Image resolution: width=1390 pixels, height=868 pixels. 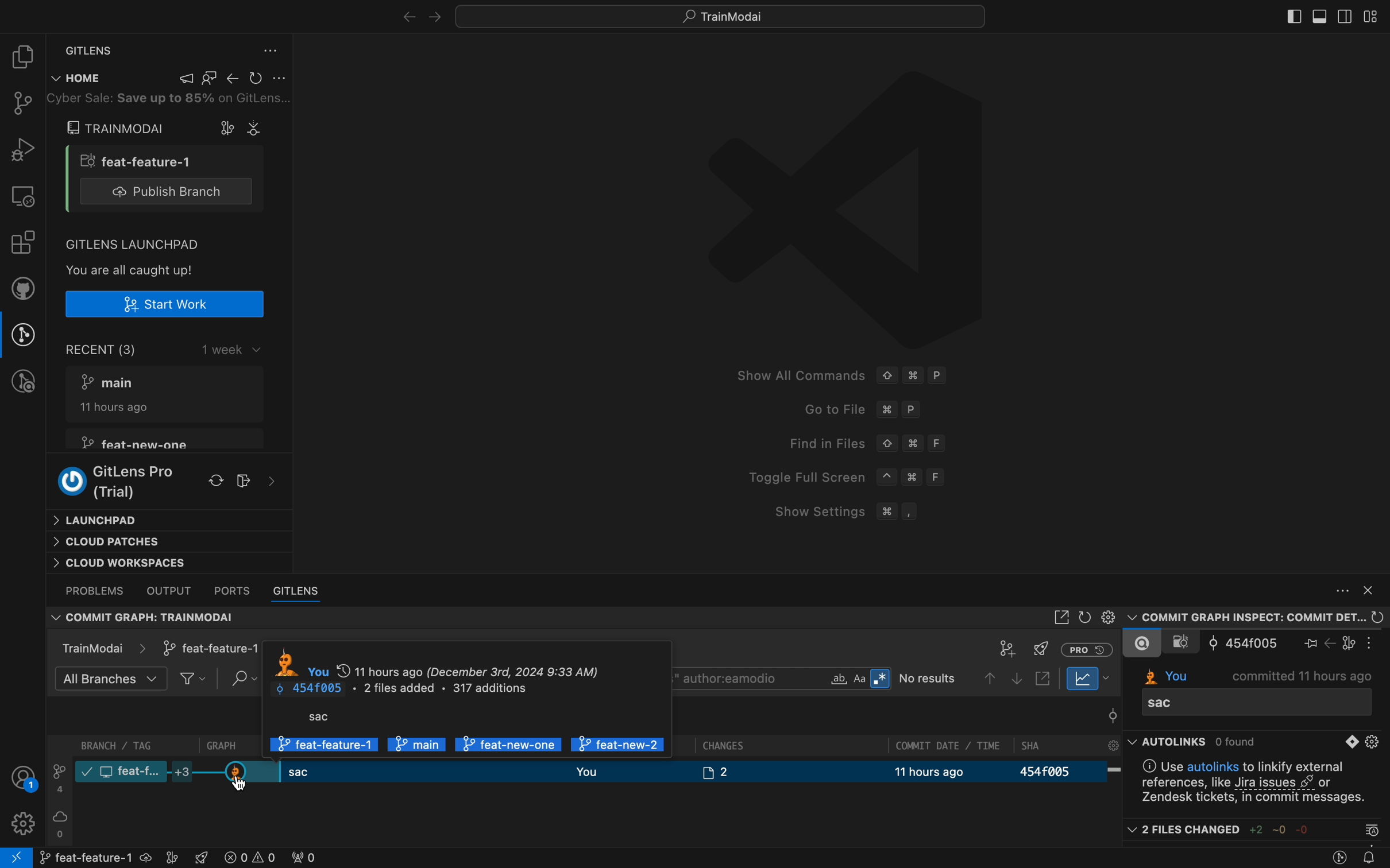 What do you see at coordinates (173, 190) in the screenshot?
I see `publish` at bounding box center [173, 190].